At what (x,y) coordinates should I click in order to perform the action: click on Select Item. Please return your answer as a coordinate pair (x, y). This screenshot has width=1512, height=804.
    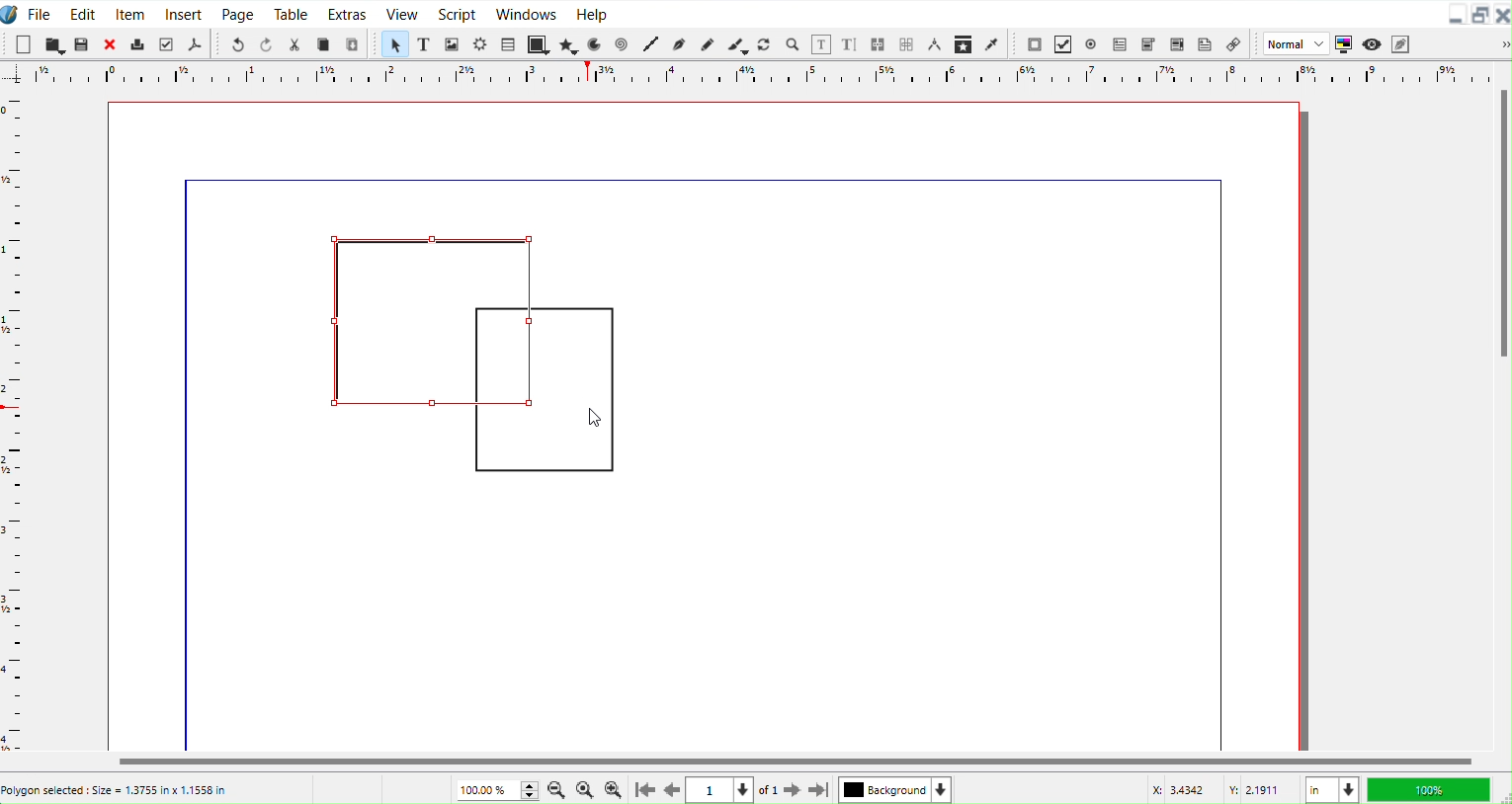
    Looking at the image, I should click on (395, 44).